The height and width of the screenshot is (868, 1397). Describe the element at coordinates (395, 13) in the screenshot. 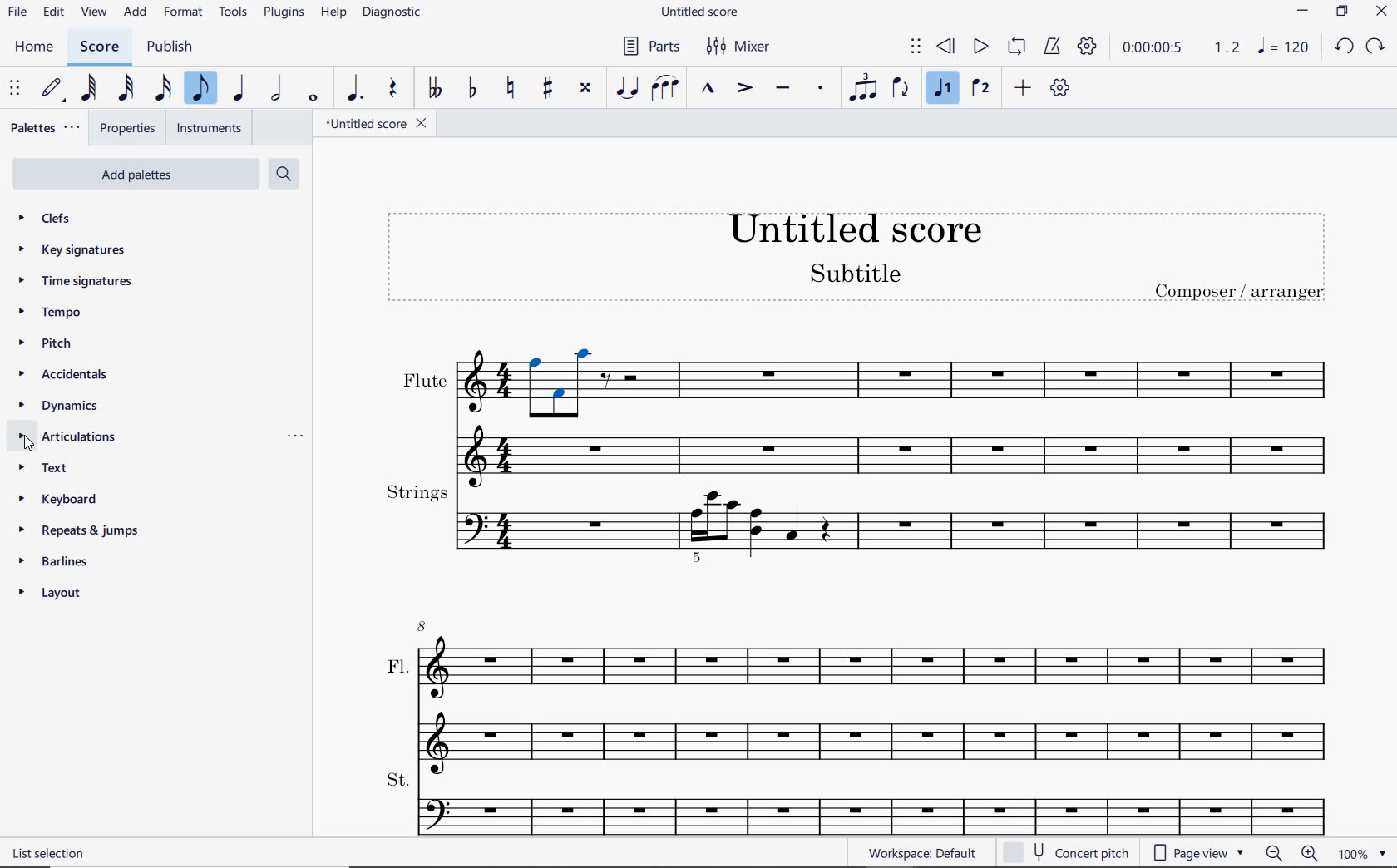

I see `DIAGNOSTIC` at that location.